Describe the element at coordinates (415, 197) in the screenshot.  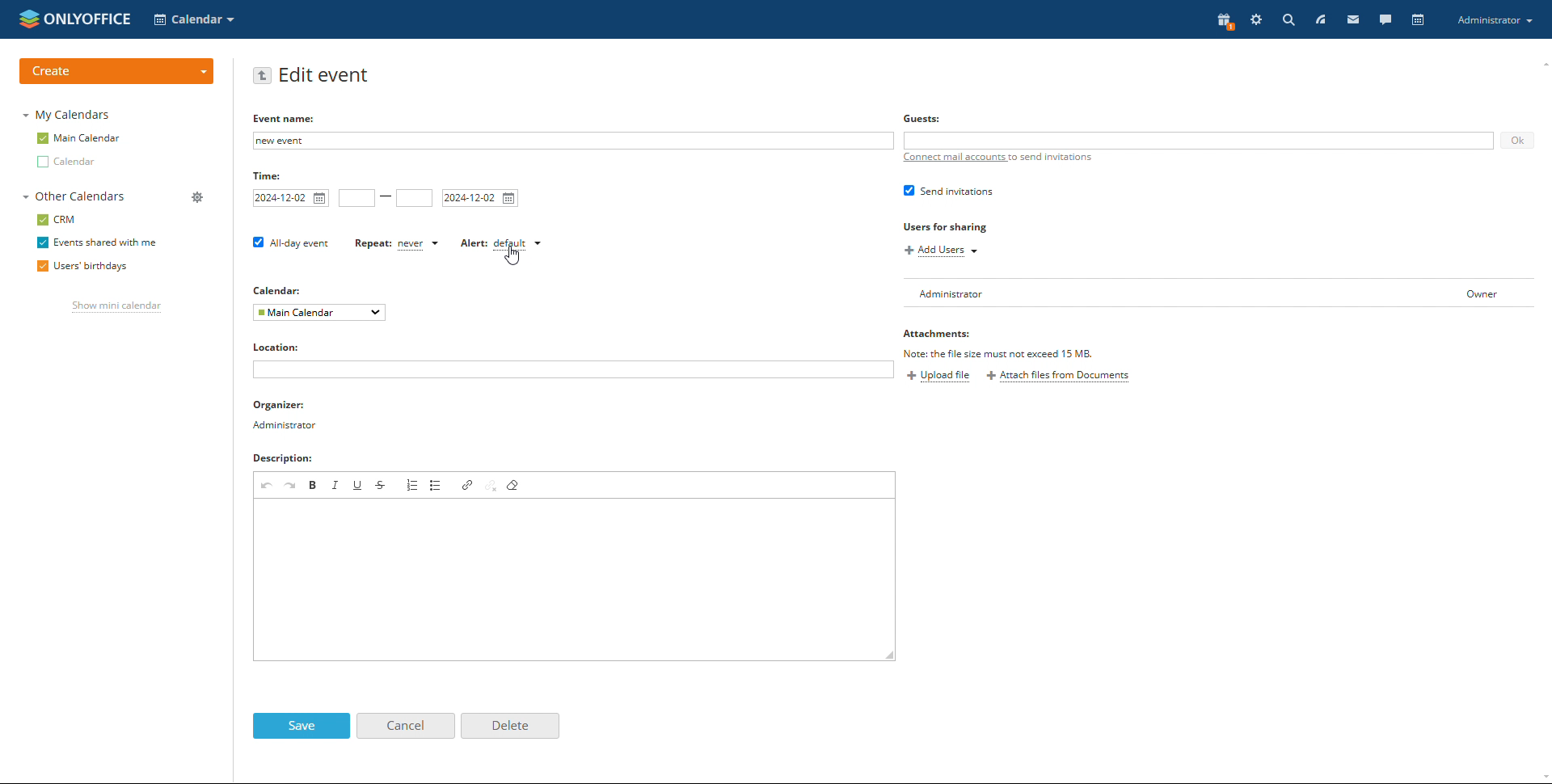
I see `end time` at that location.